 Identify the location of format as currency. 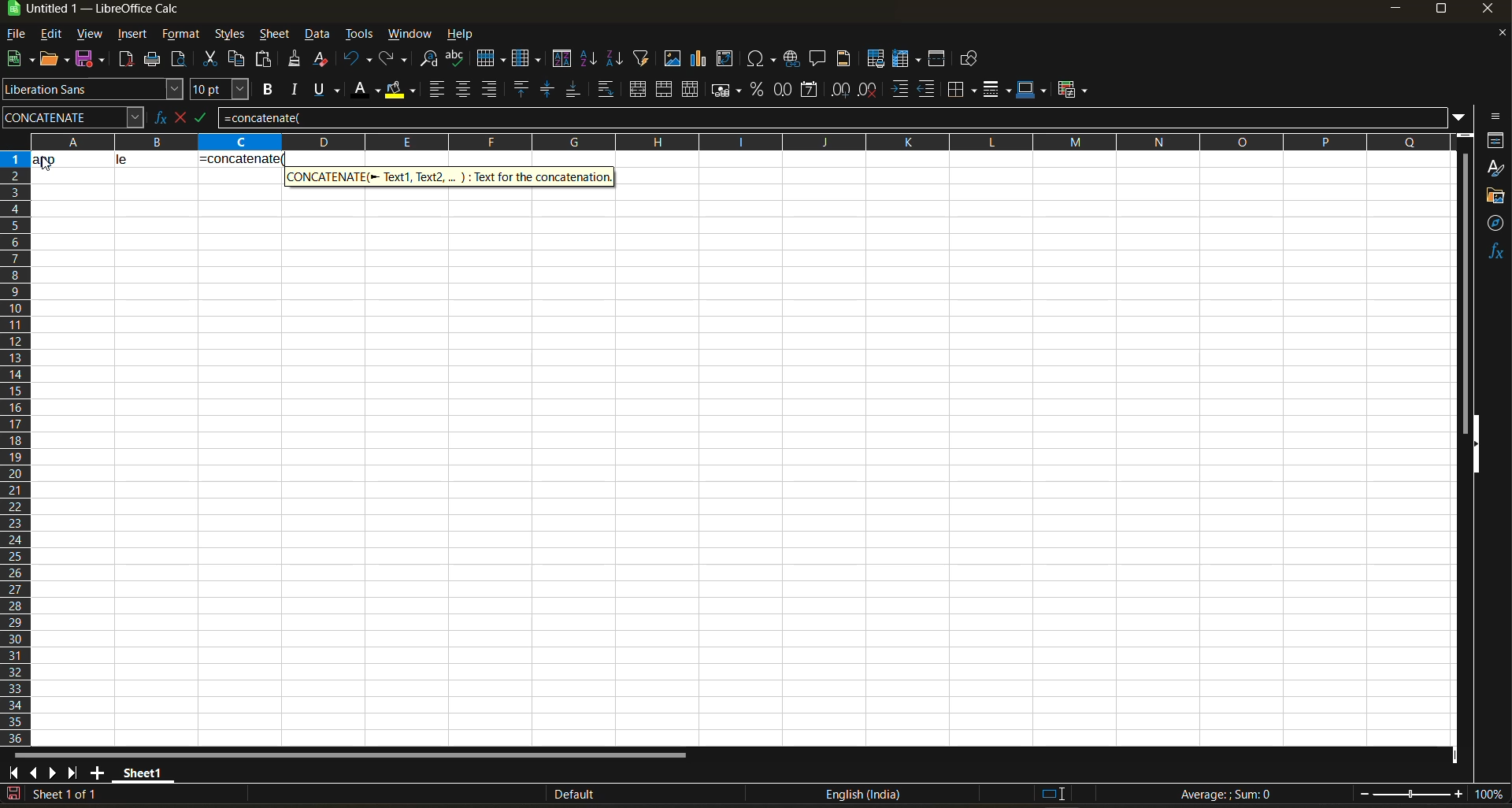
(731, 90).